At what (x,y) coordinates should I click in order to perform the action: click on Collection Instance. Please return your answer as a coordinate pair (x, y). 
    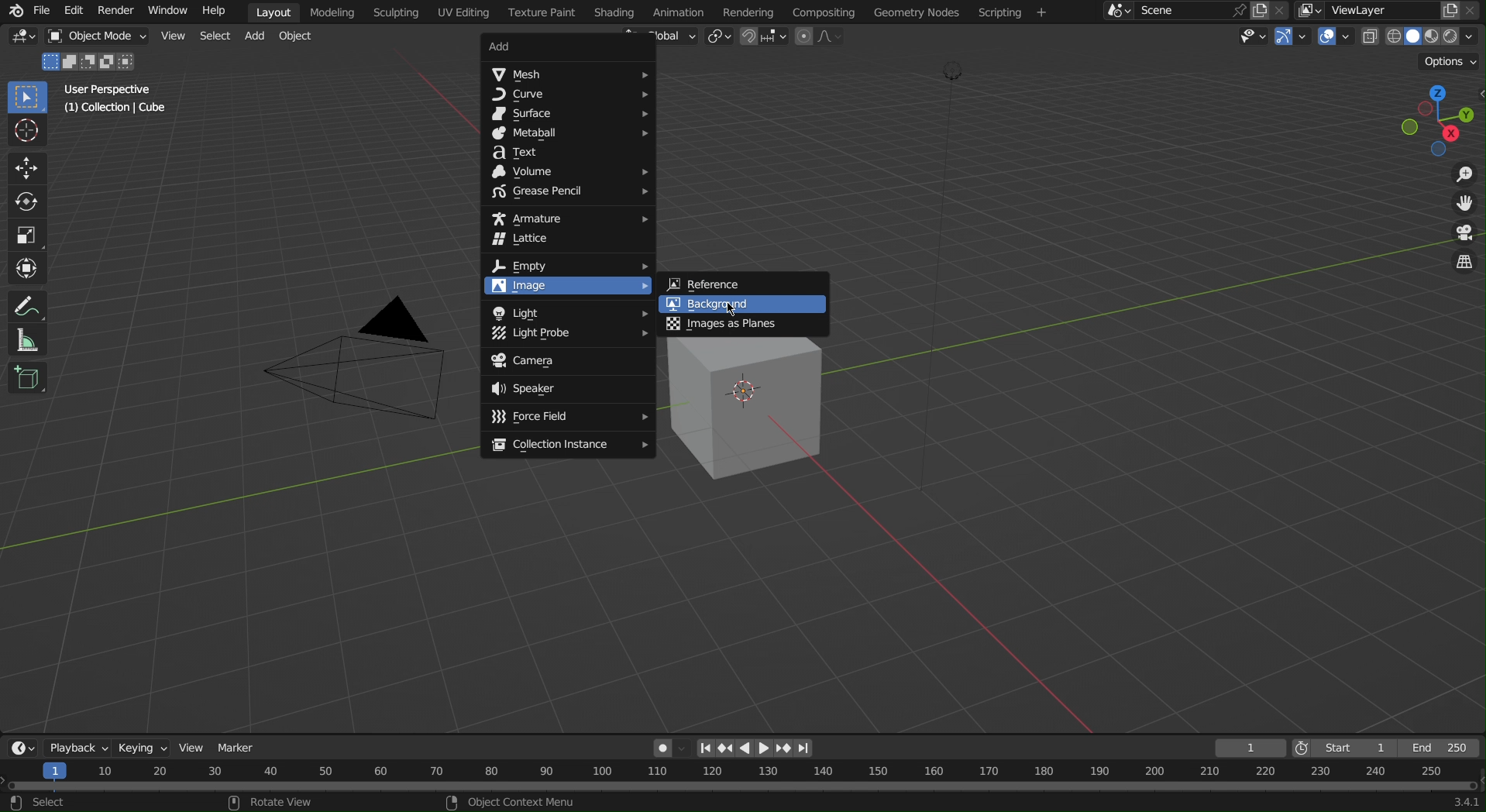
    Looking at the image, I should click on (565, 445).